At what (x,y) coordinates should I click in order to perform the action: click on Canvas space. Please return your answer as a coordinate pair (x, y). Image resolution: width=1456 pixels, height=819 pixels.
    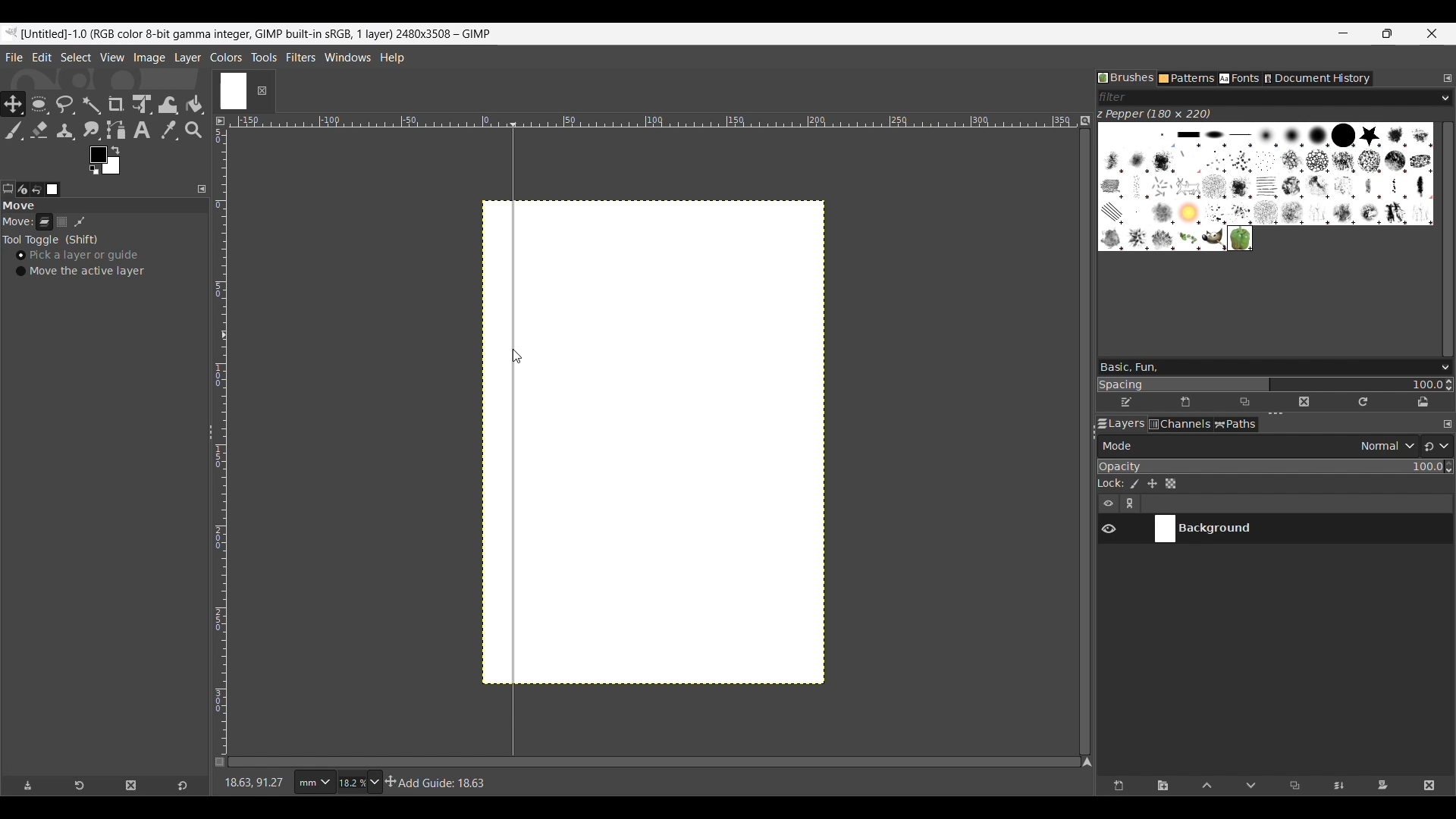
    Looking at the image, I should click on (760, 441).